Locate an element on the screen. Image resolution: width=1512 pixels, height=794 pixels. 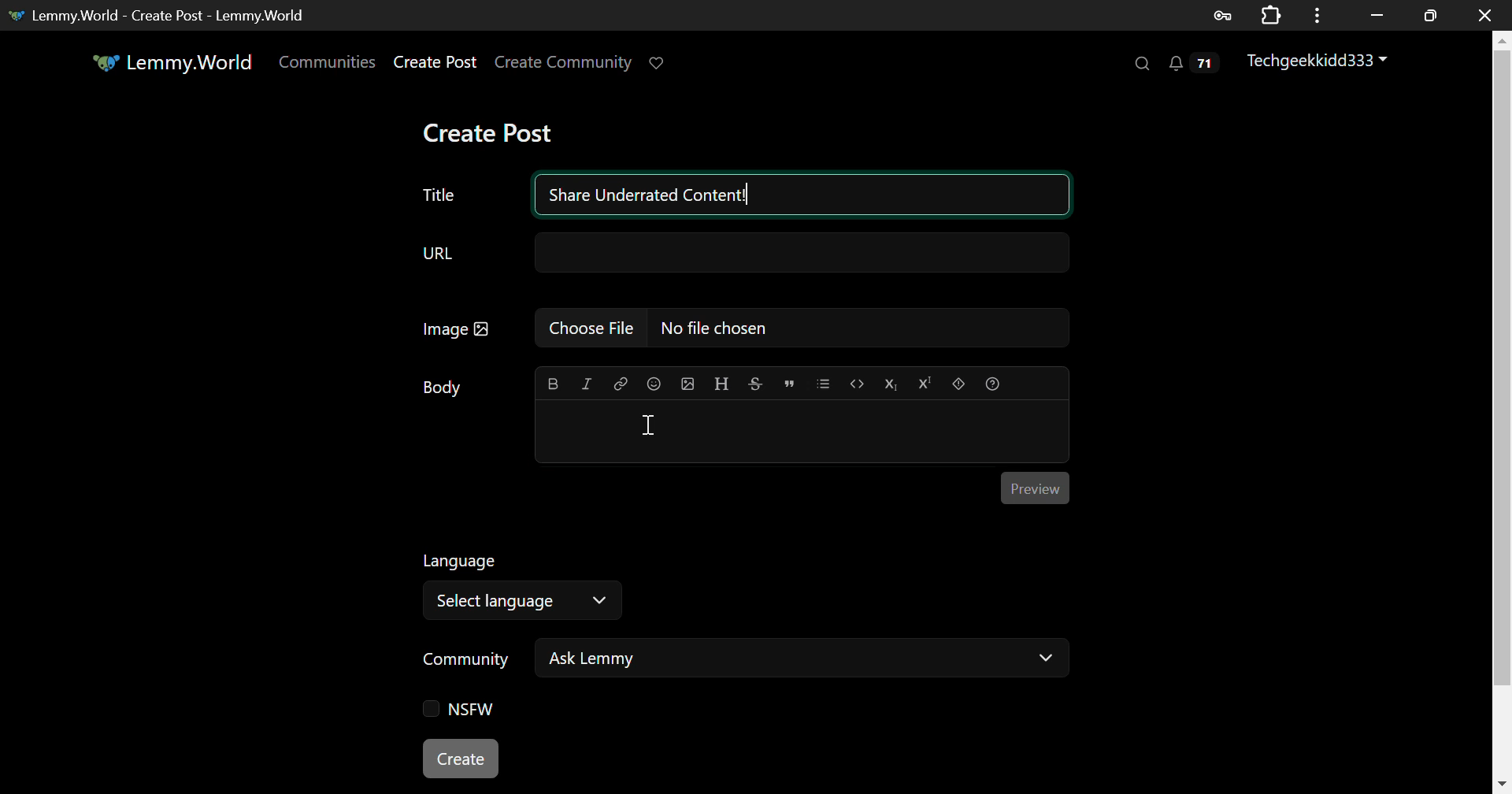
Bold is located at coordinates (553, 384).